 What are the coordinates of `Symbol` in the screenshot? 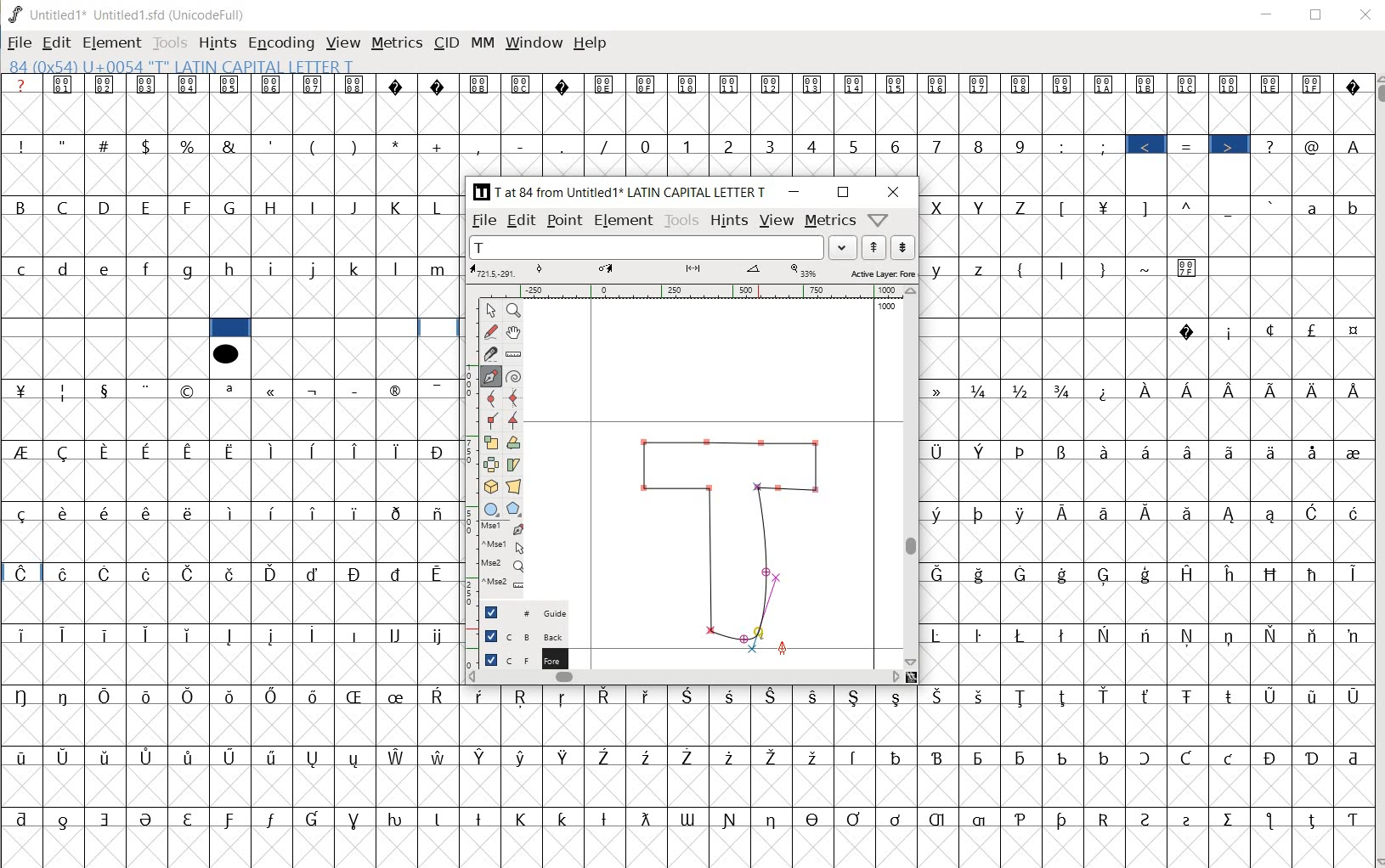 It's located at (149, 511).